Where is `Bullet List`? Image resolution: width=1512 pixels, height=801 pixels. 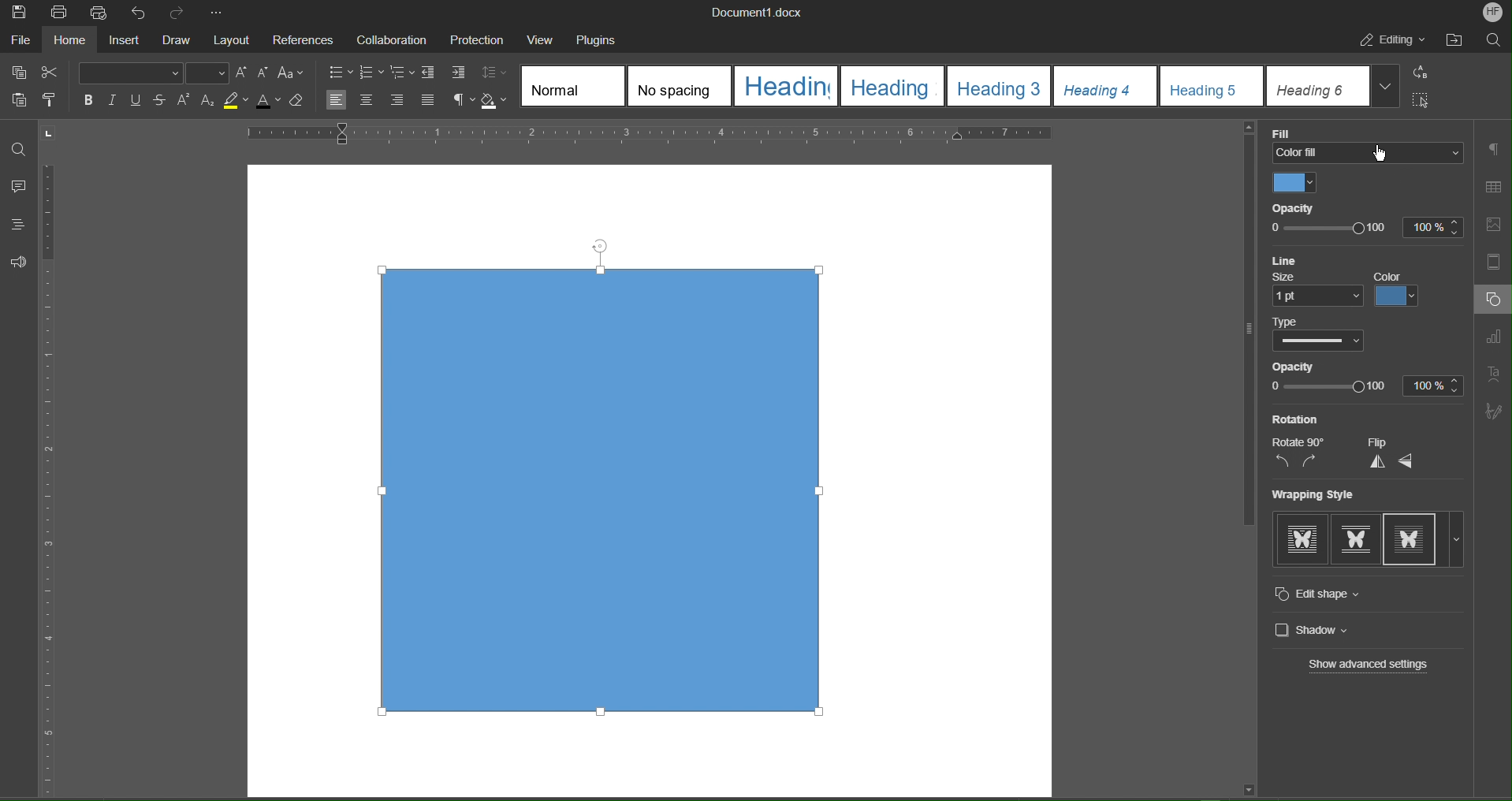 Bullet List is located at coordinates (340, 71).